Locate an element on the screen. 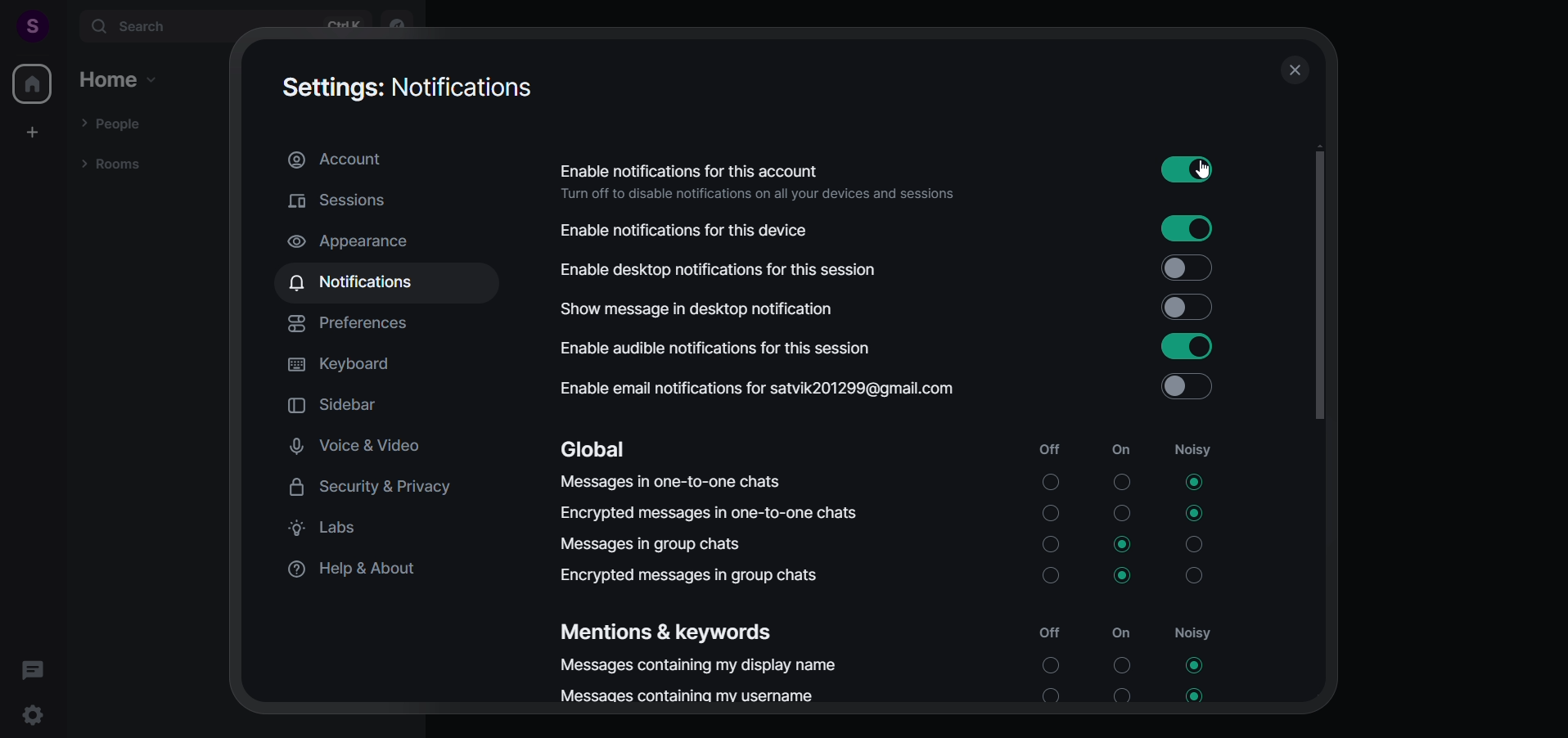 The height and width of the screenshot is (738, 1568). off is located at coordinates (1052, 449).